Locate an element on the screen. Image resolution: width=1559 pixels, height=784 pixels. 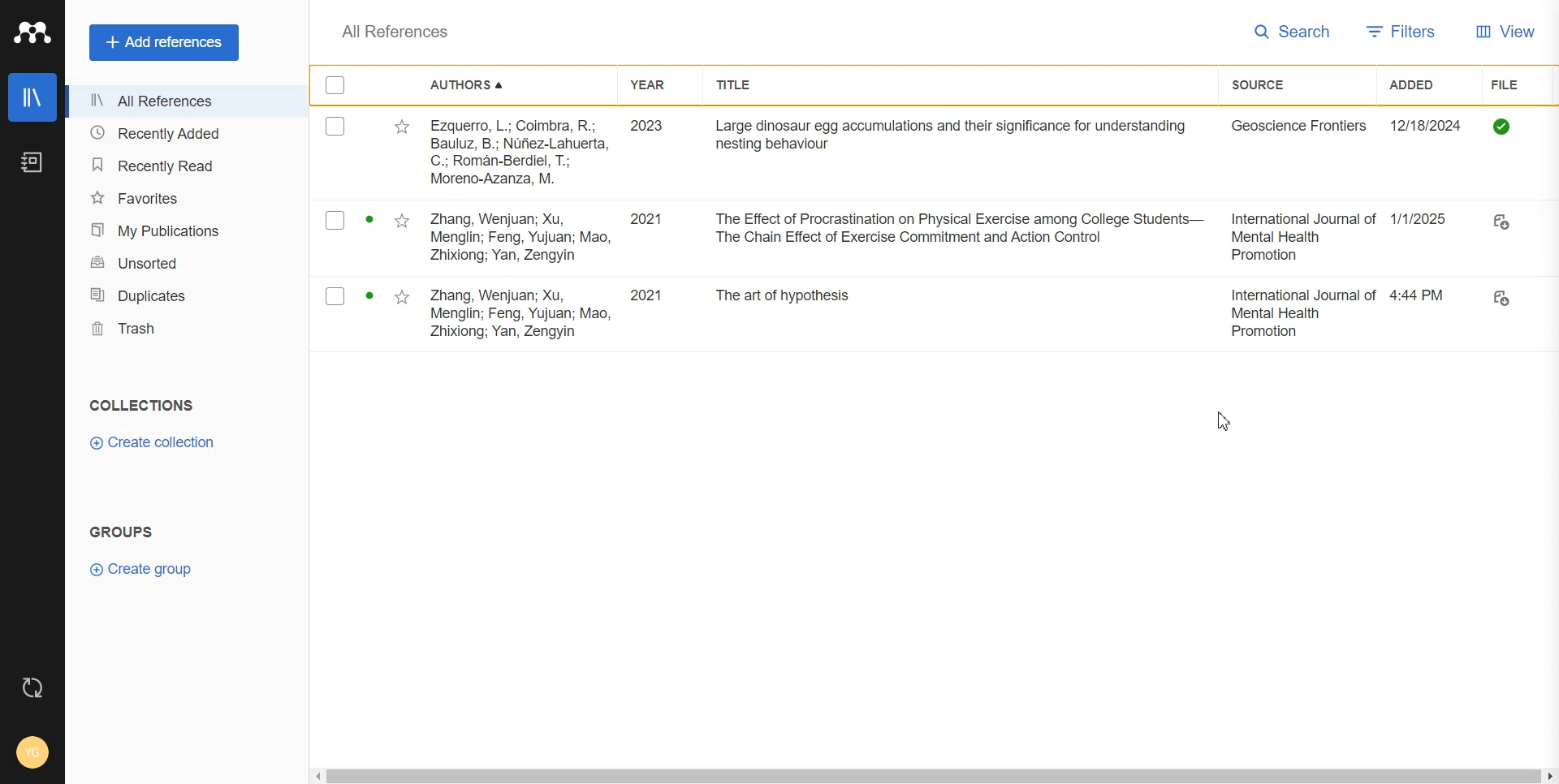
International Journal of Mental Health is located at coordinates (1303, 312).